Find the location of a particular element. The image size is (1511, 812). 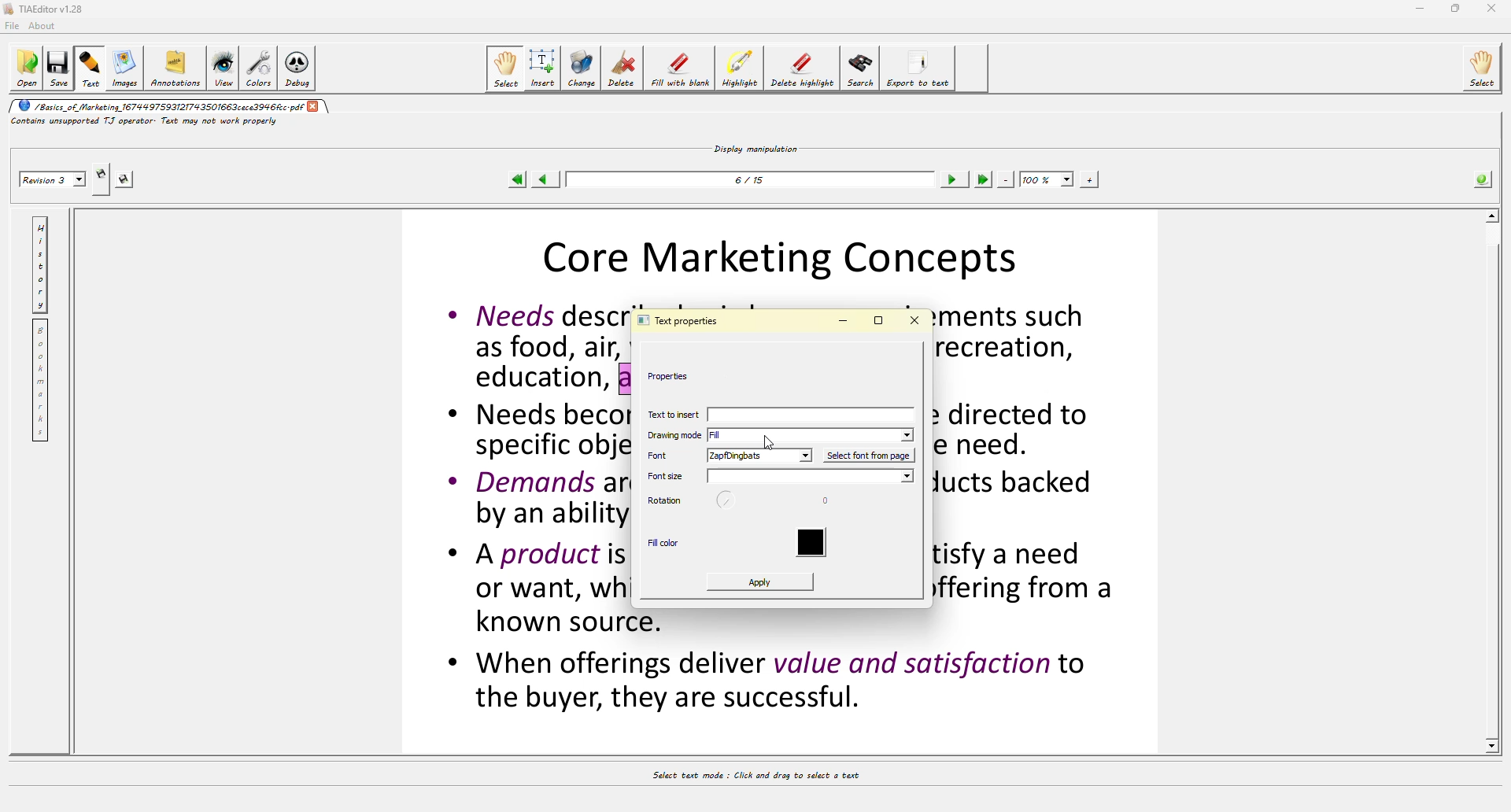

cursor is located at coordinates (773, 440).